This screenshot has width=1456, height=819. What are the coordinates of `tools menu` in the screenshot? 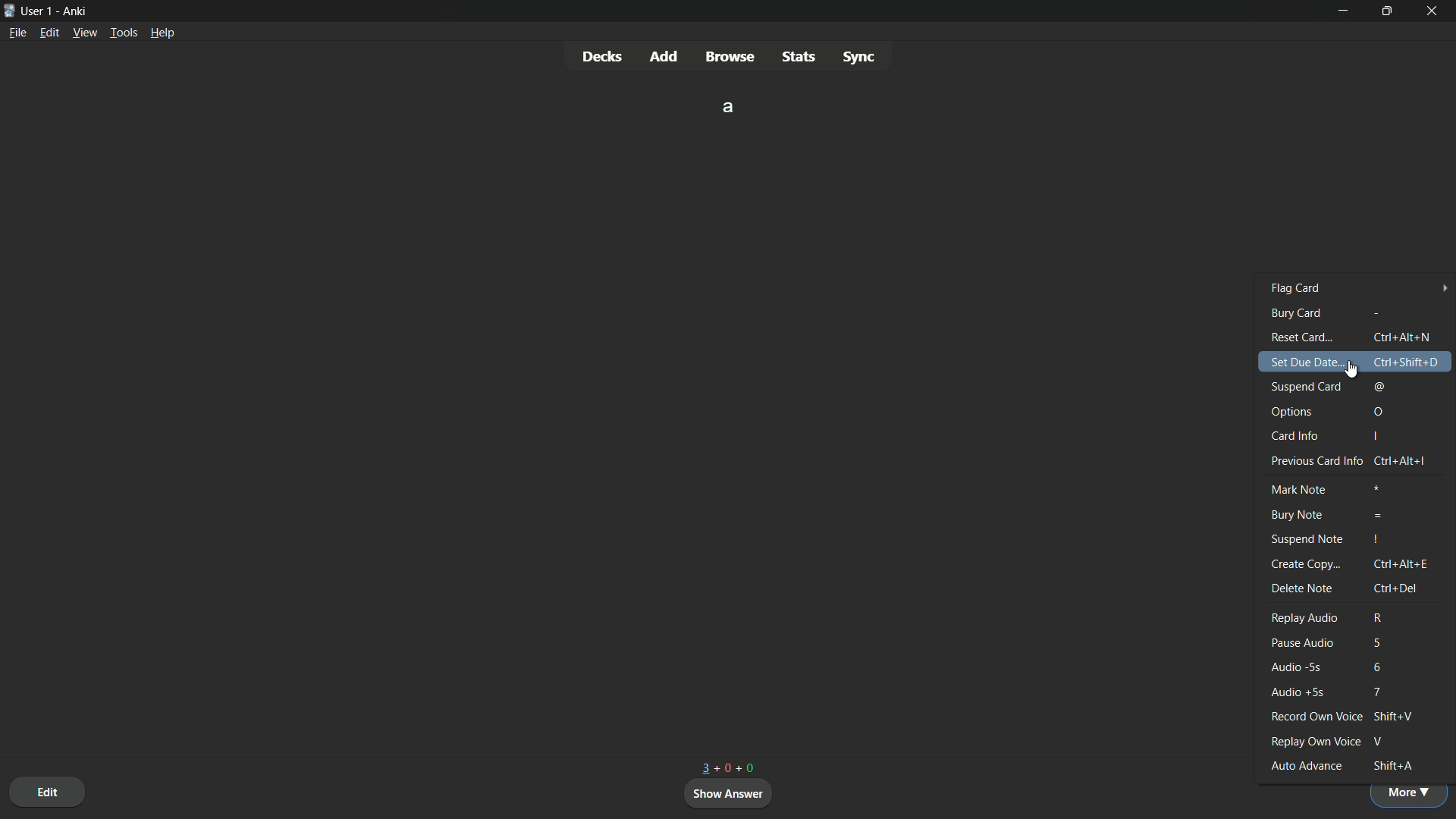 It's located at (124, 33).